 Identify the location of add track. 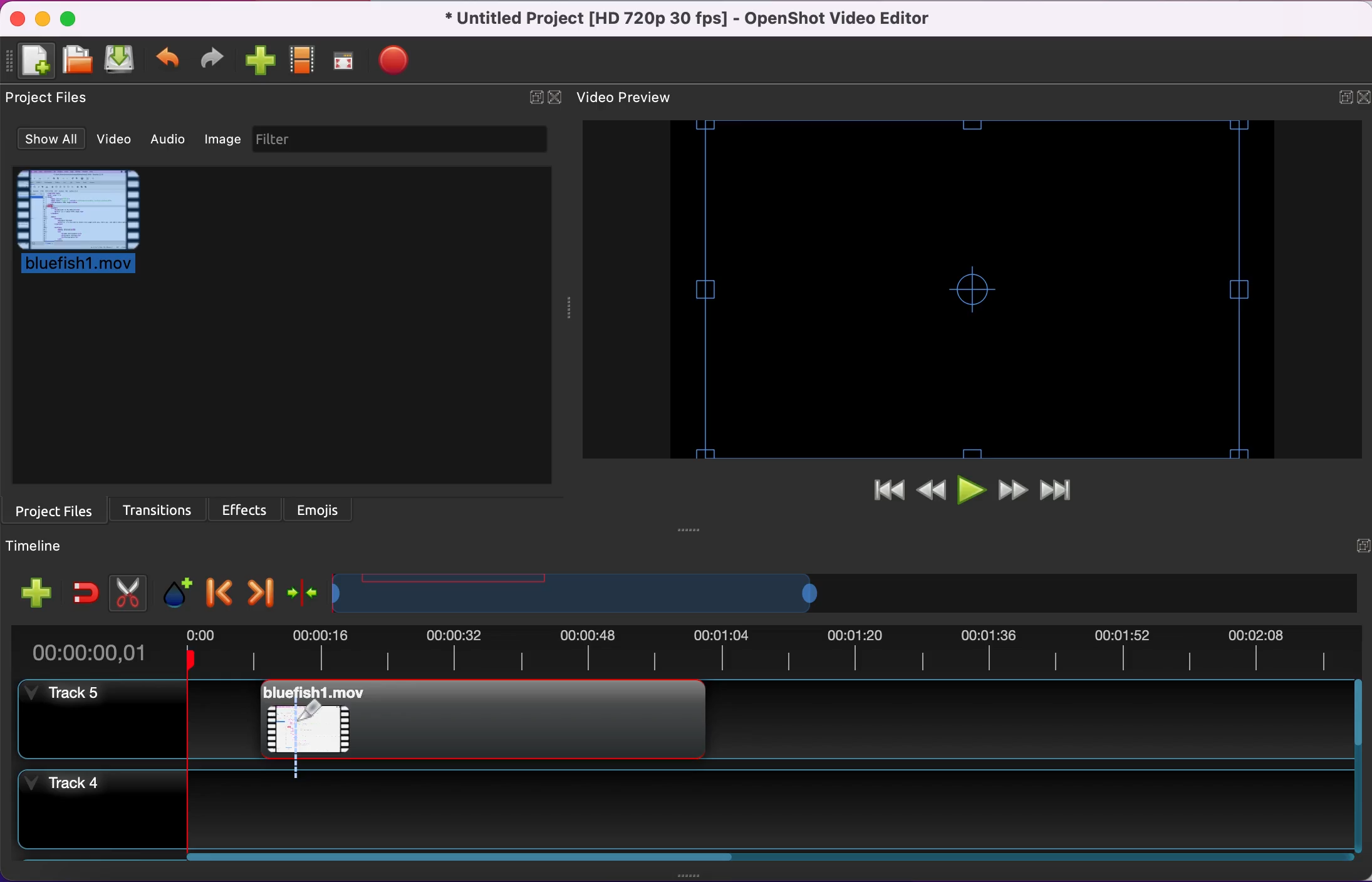
(34, 590).